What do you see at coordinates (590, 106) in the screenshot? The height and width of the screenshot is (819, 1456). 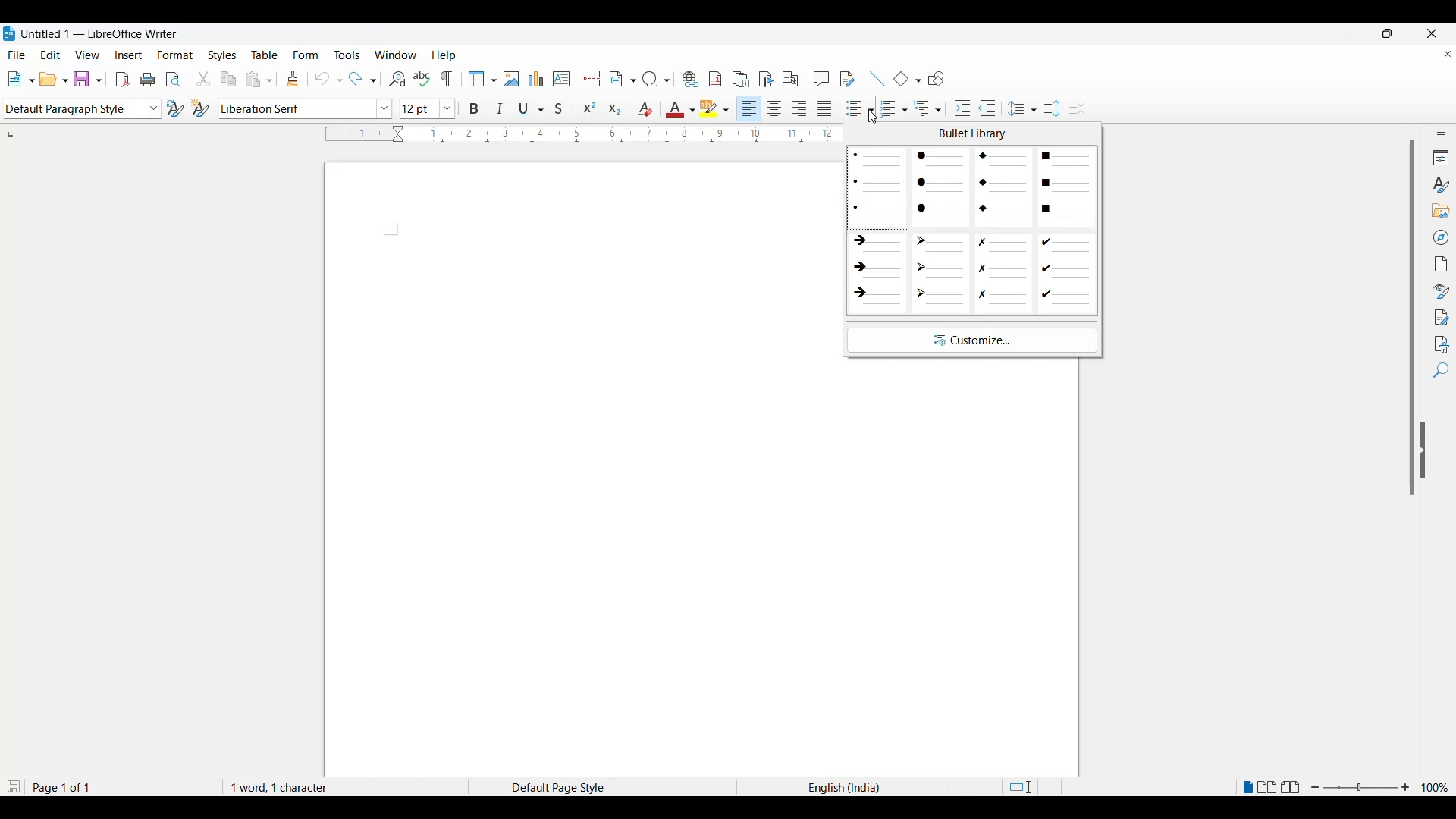 I see `superscript` at bounding box center [590, 106].